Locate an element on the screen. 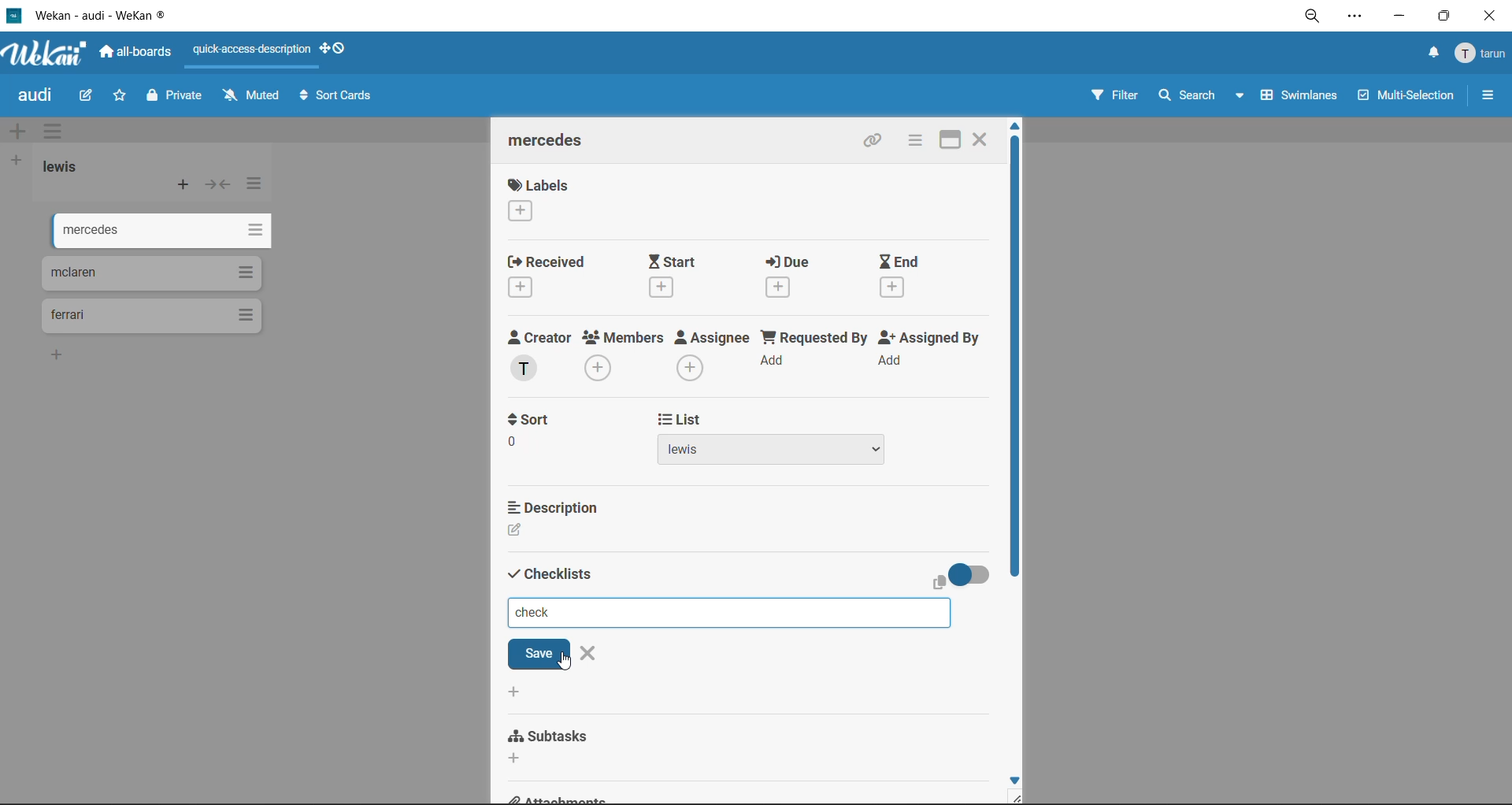  recieved is located at coordinates (548, 278).